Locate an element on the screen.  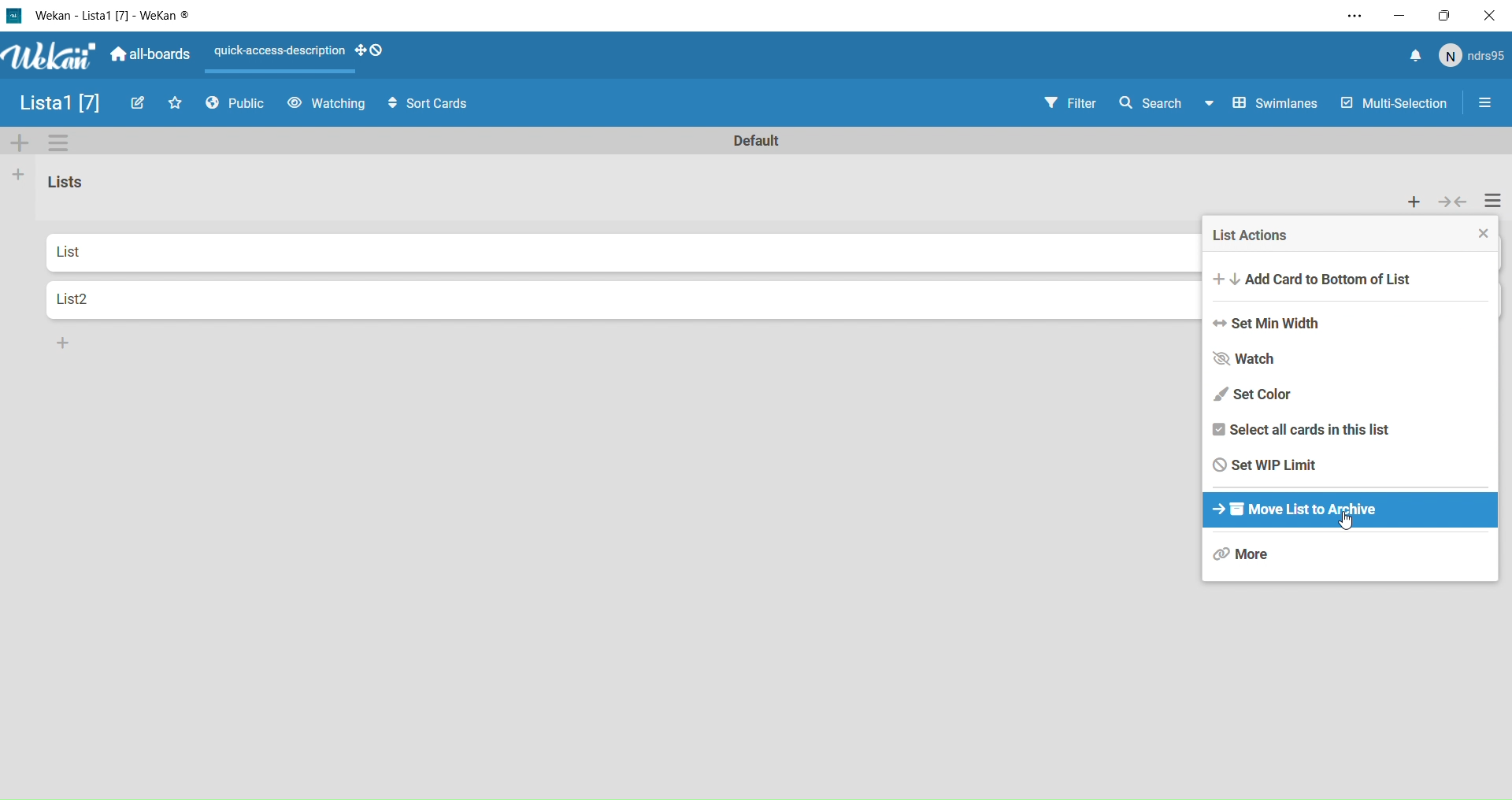
List is located at coordinates (57, 102).